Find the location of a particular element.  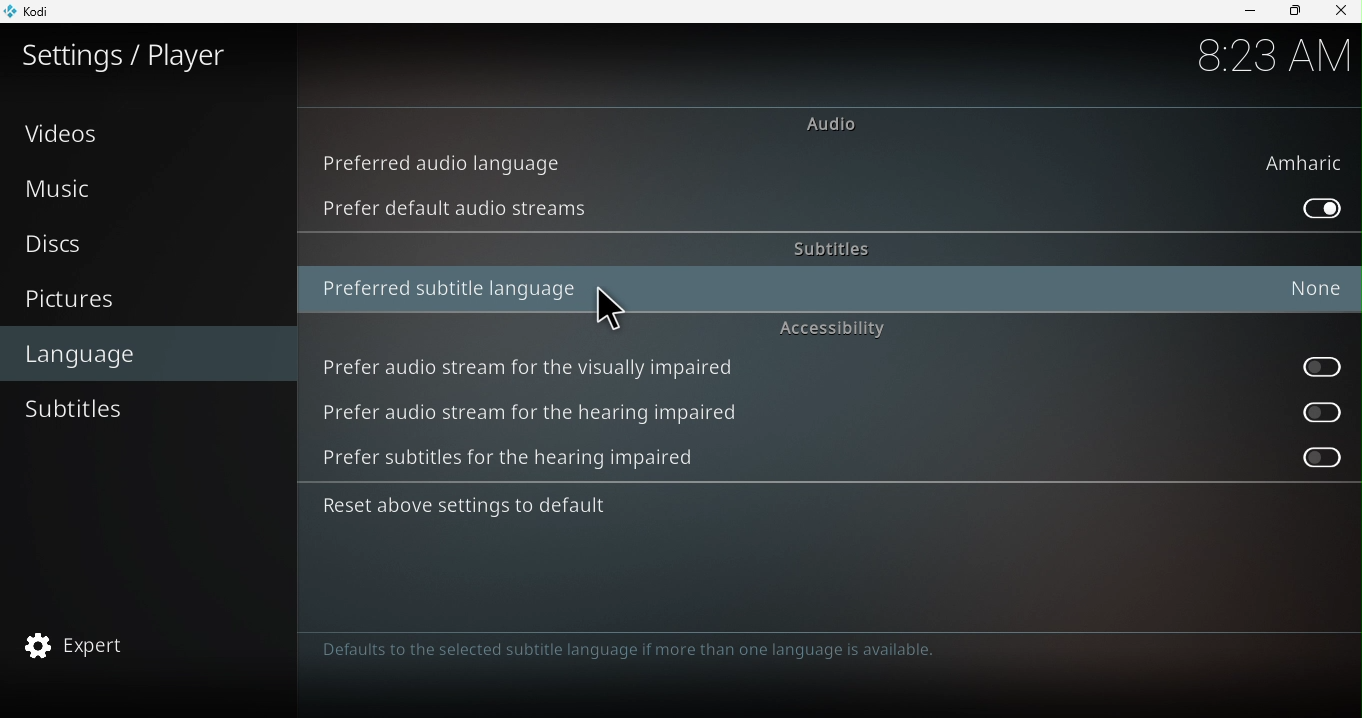

Close is located at coordinates (1340, 11).